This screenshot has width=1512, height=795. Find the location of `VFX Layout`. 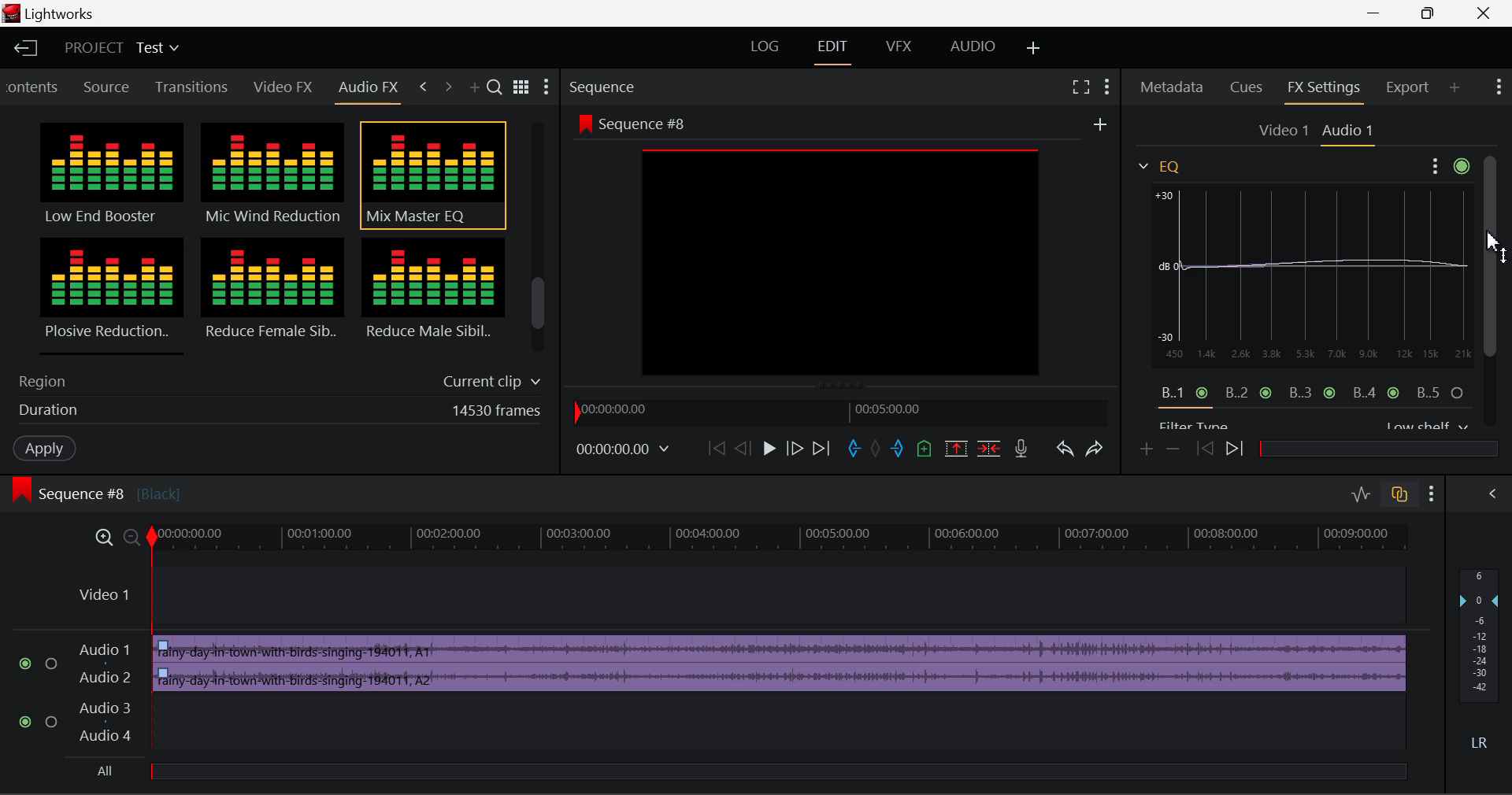

VFX Layout is located at coordinates (902, 50).